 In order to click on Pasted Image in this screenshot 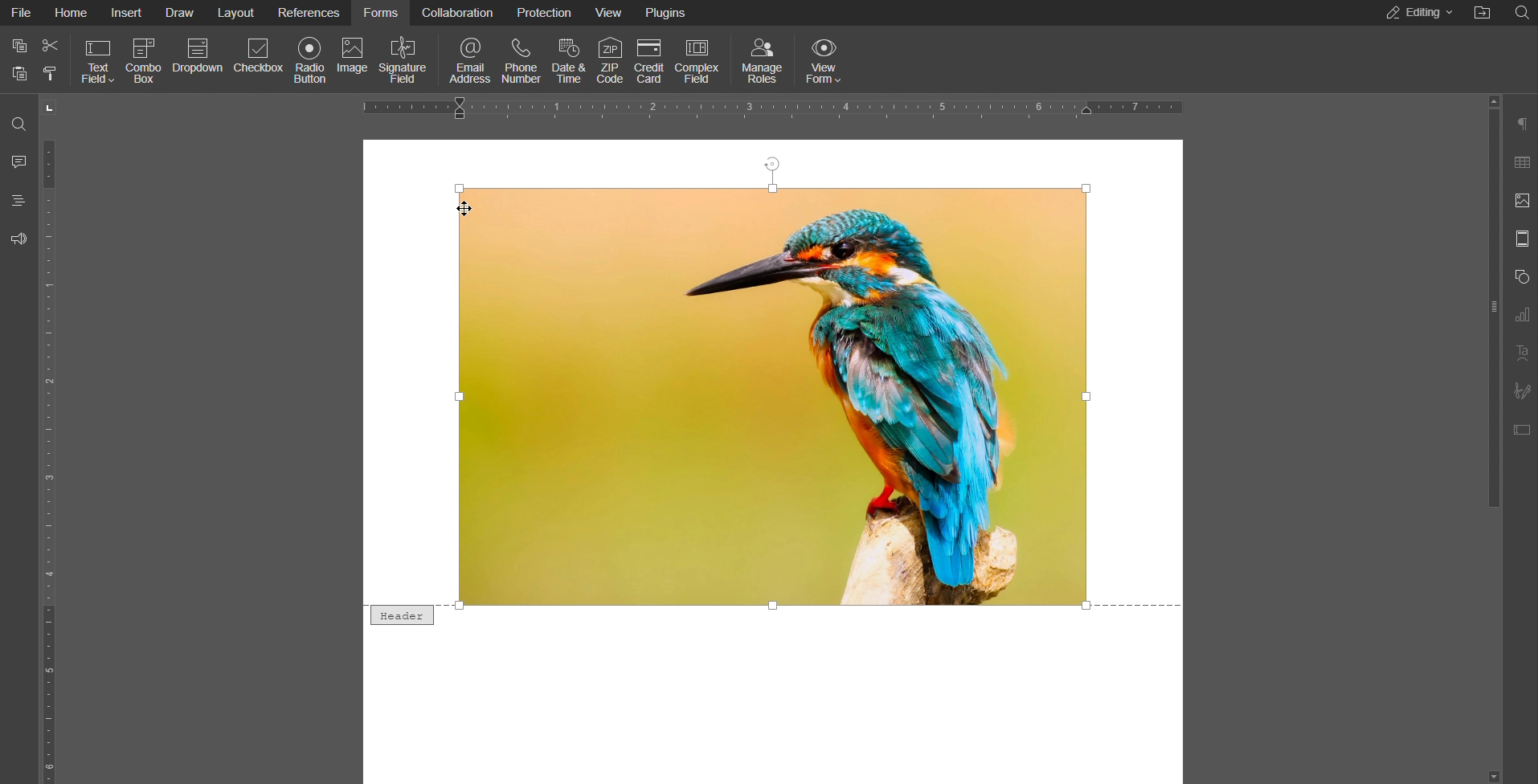, I will do `click(772, 394)`.